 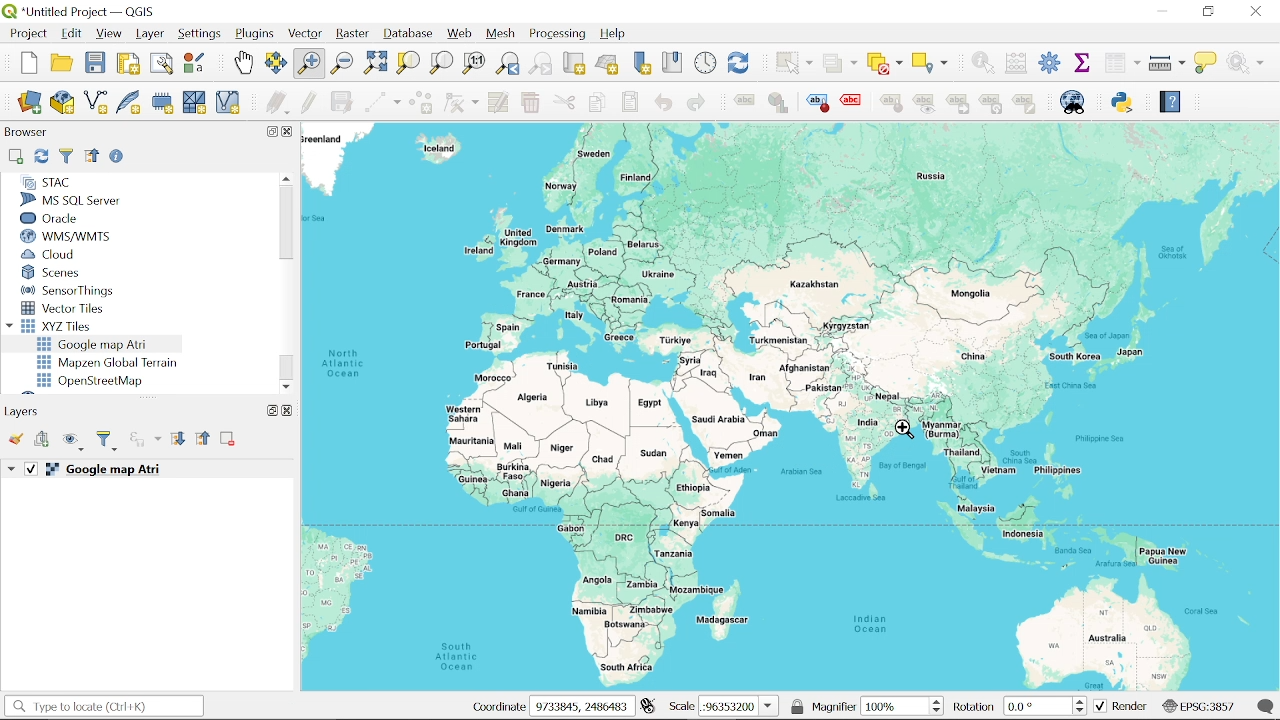 What do you see at coordinates (308, 64) in the screenshot?
I see `Zoom in` at bounding box center [308, 64].